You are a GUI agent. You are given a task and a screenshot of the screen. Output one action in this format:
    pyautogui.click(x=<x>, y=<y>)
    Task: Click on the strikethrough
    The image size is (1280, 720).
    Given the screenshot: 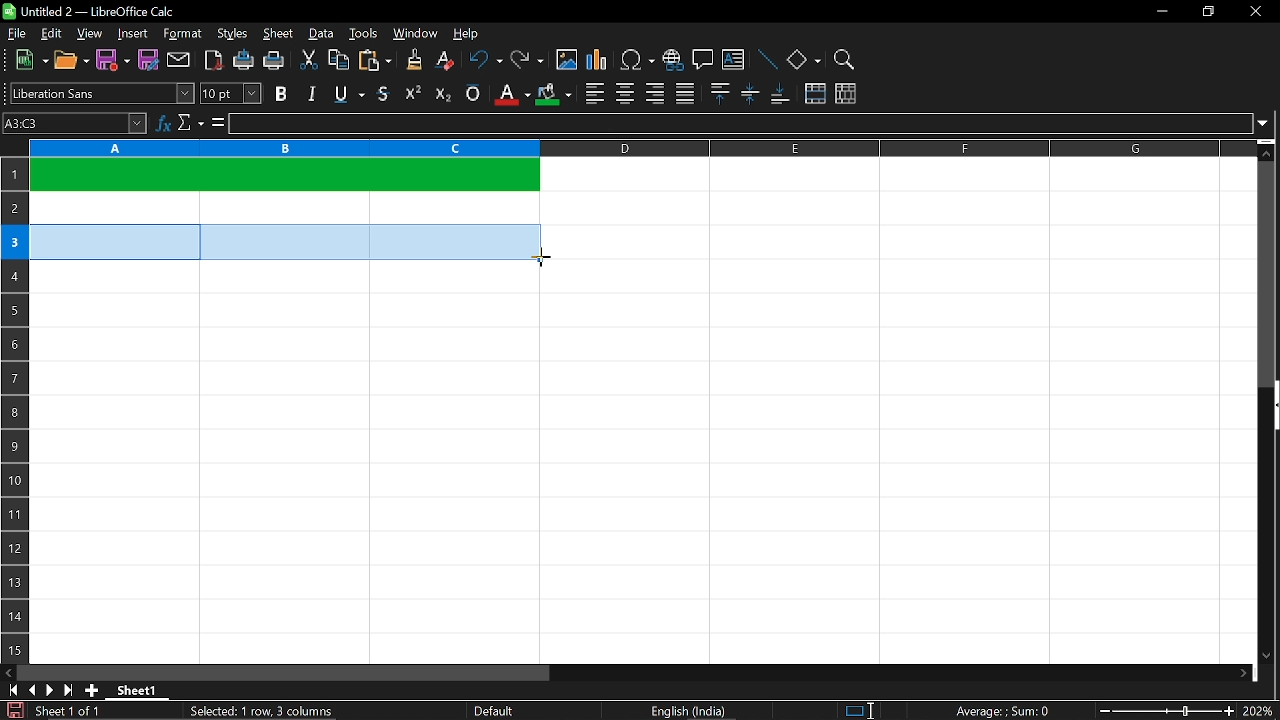 What is the action you would take?
    pyautogui.click(x=384, y=92)
    